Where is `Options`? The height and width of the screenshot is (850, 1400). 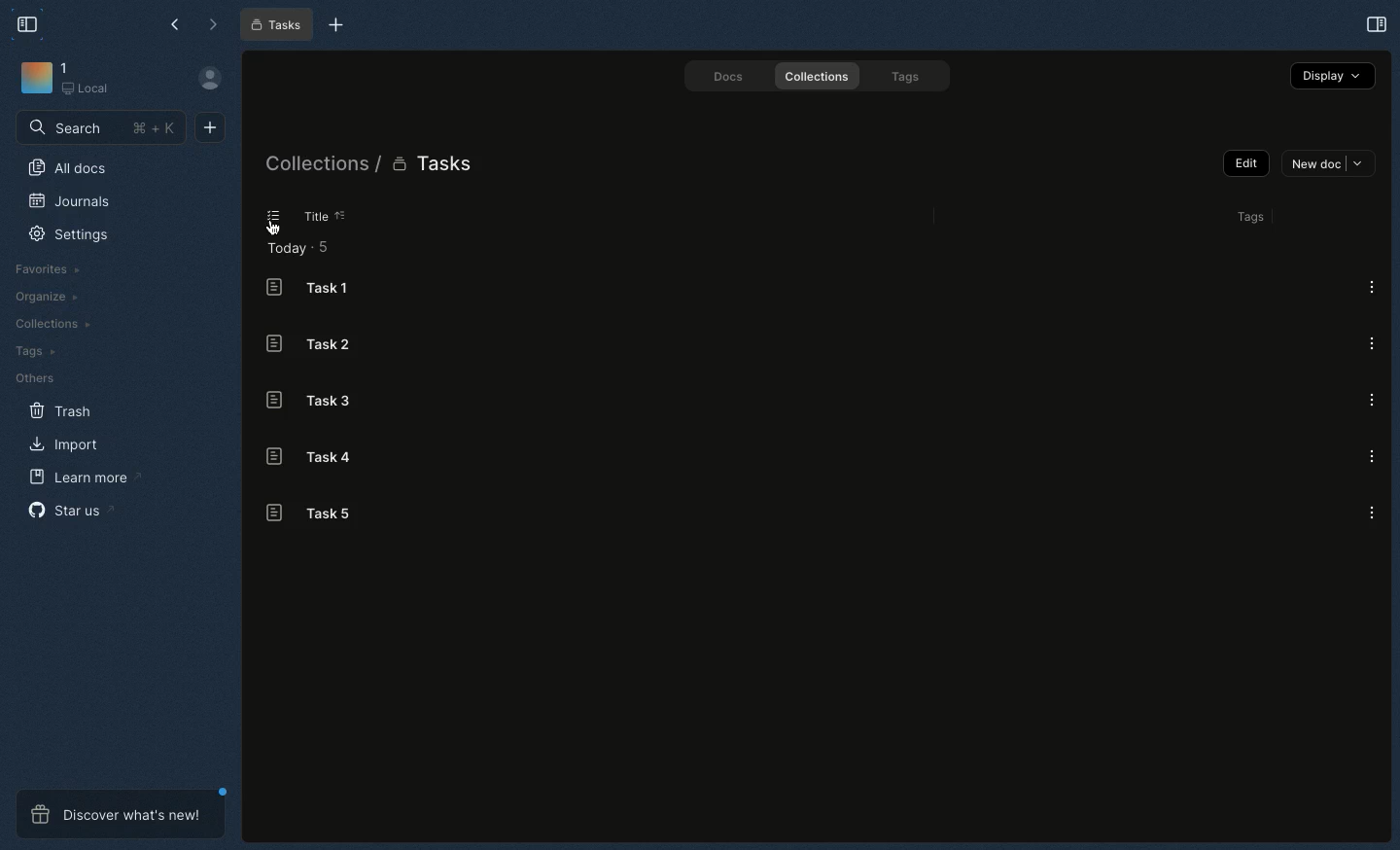 Options is located at coordinates (1371, 286).